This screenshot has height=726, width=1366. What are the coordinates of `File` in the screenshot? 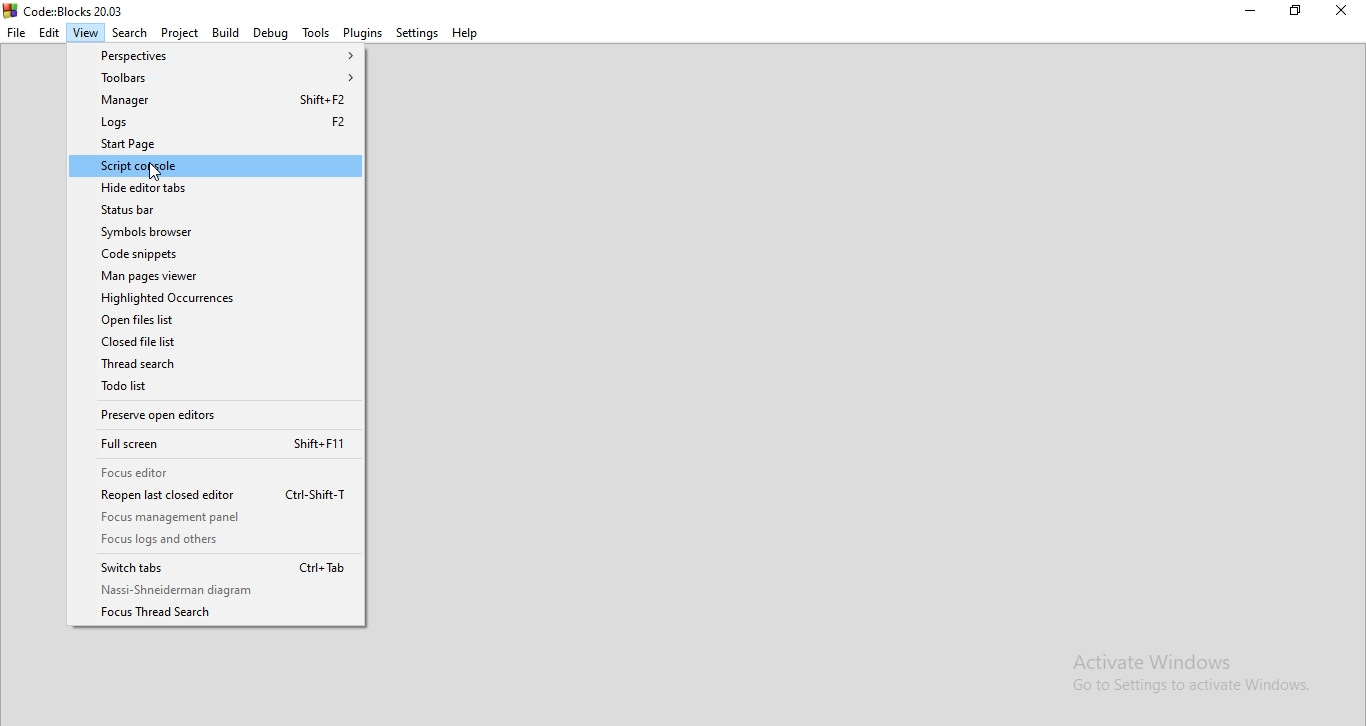 It's located at (16, 33).